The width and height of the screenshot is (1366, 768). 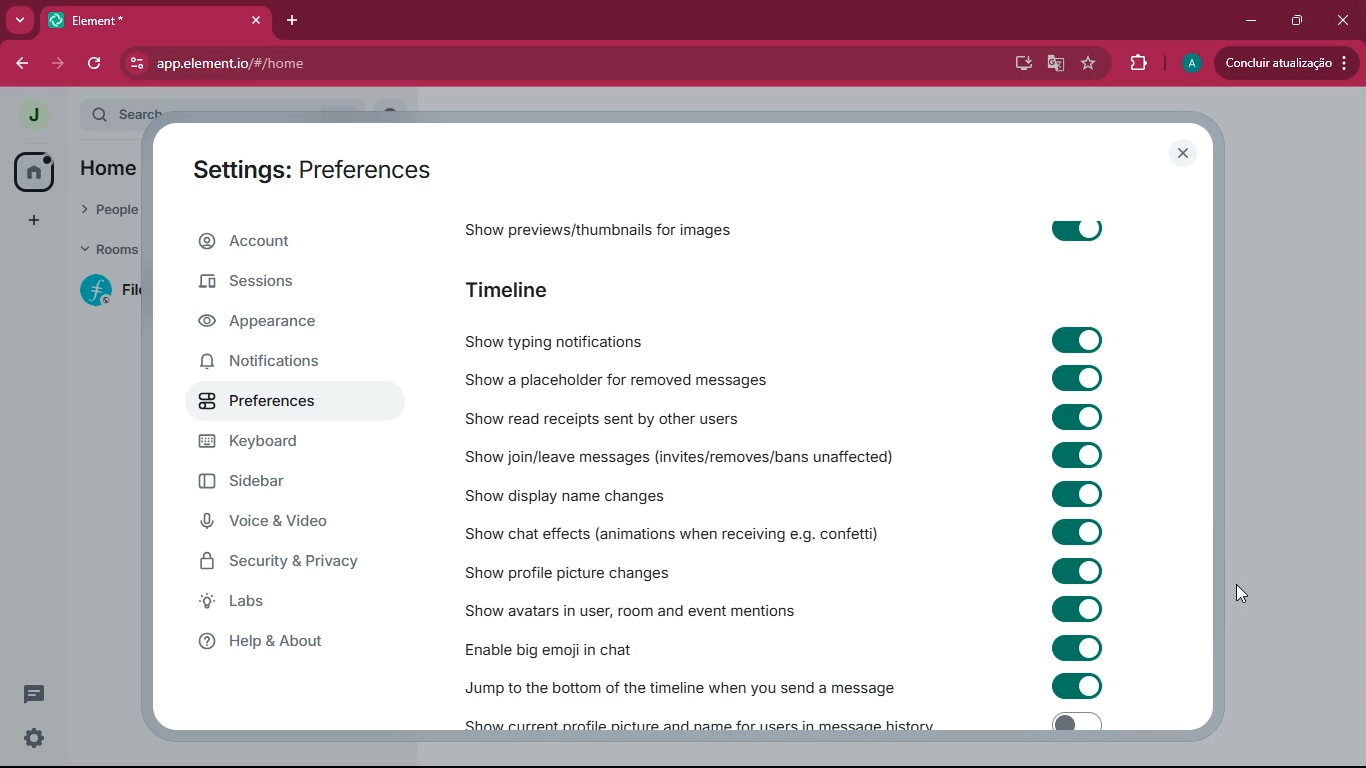 What do you see at coordinates (575, 494) in the screenshot?
I see `show display name changes` at bounding box center [575, 494].